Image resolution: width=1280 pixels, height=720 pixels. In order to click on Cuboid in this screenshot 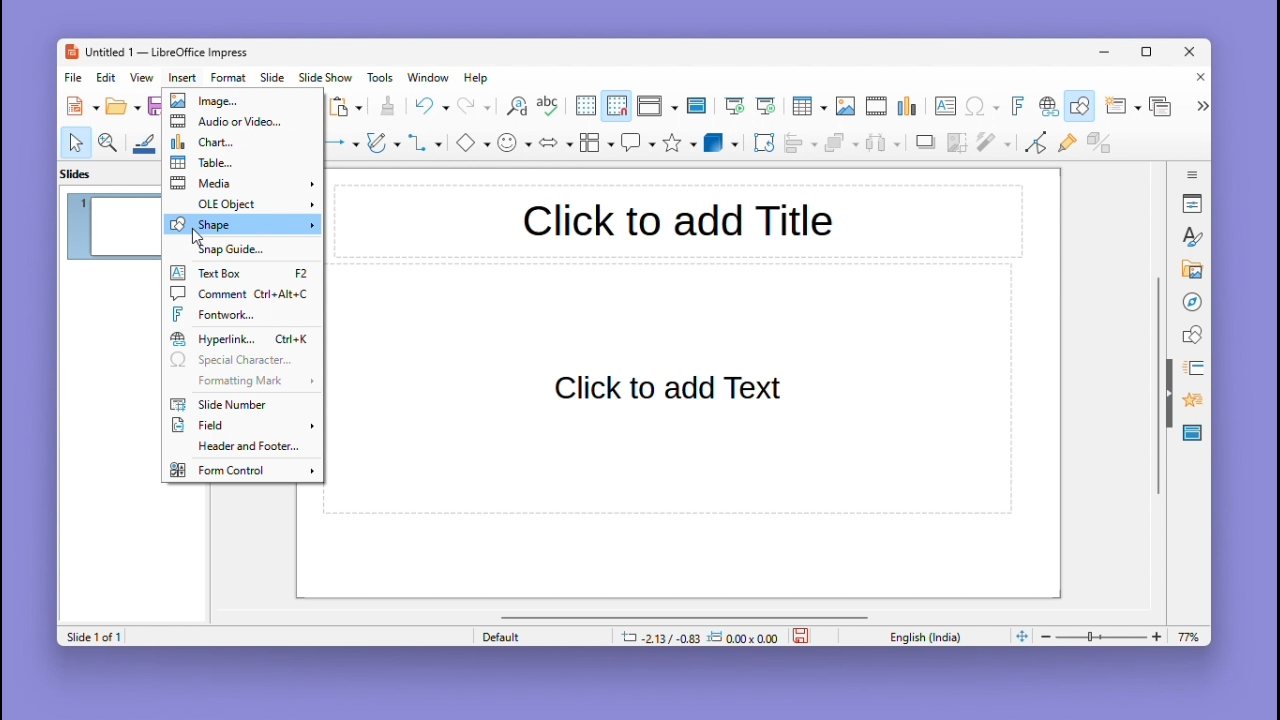, I will do `click(721, 144)`.